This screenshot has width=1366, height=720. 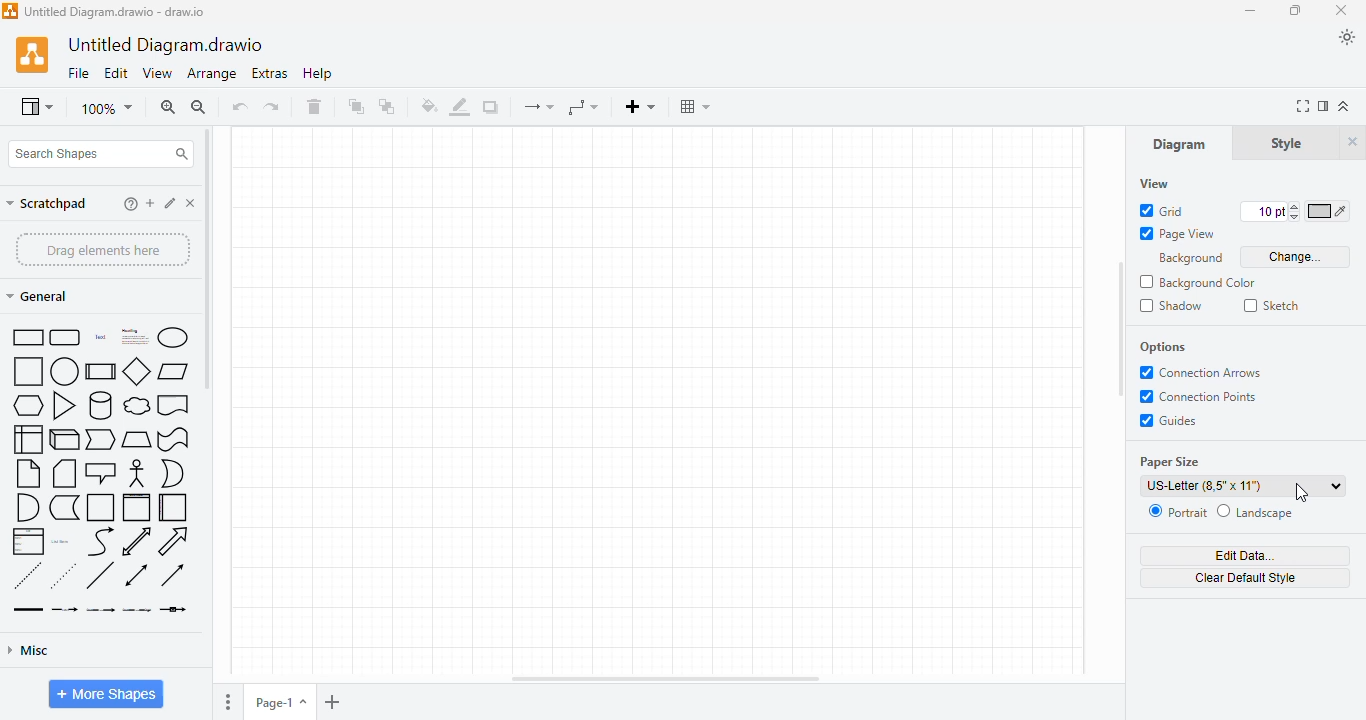 I want to click on bidirectional connector, so click(x=136, y=575).